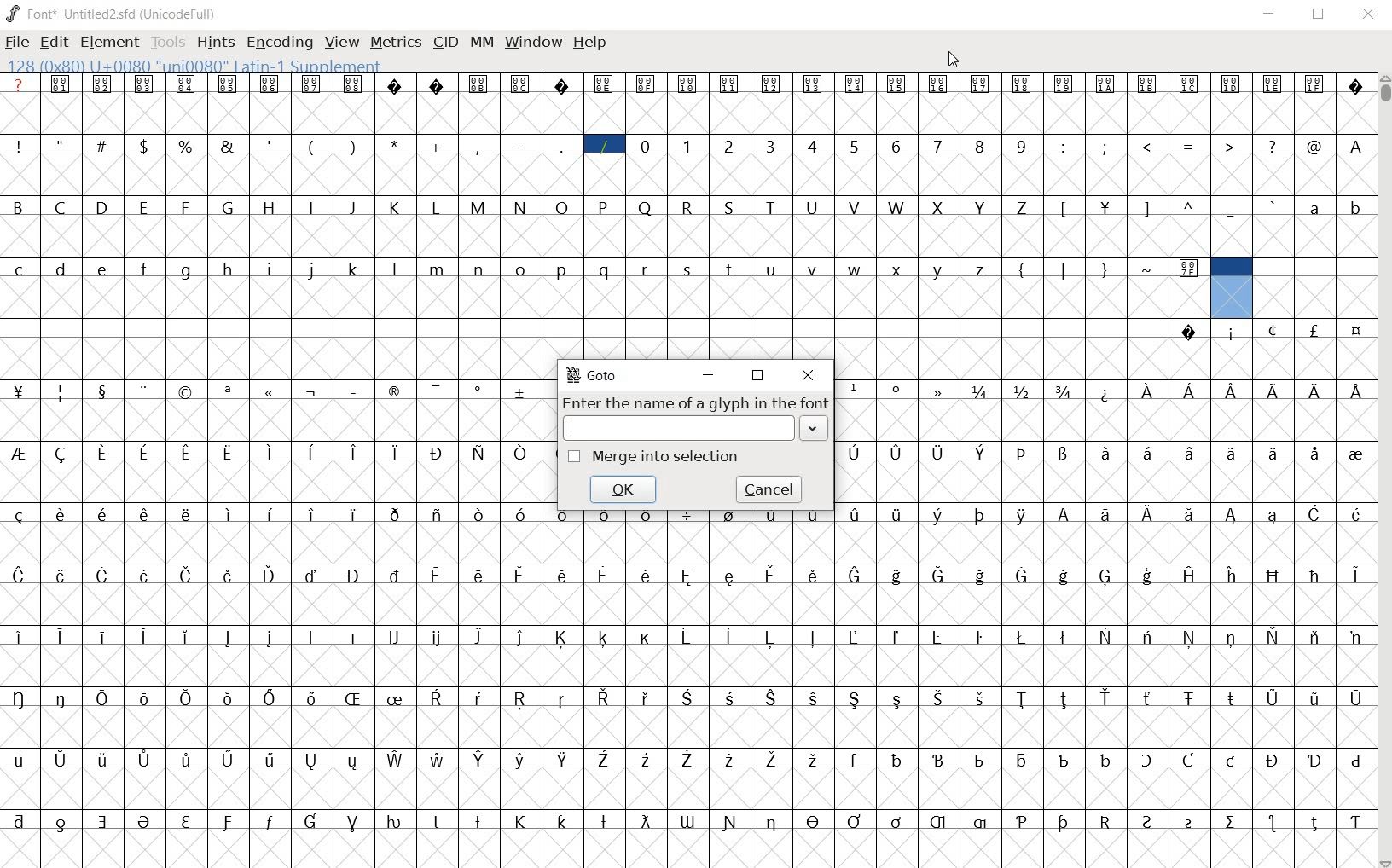  Describe the element at coordinates (62, 454) in the screenshot. I see `Symbol` at that location.